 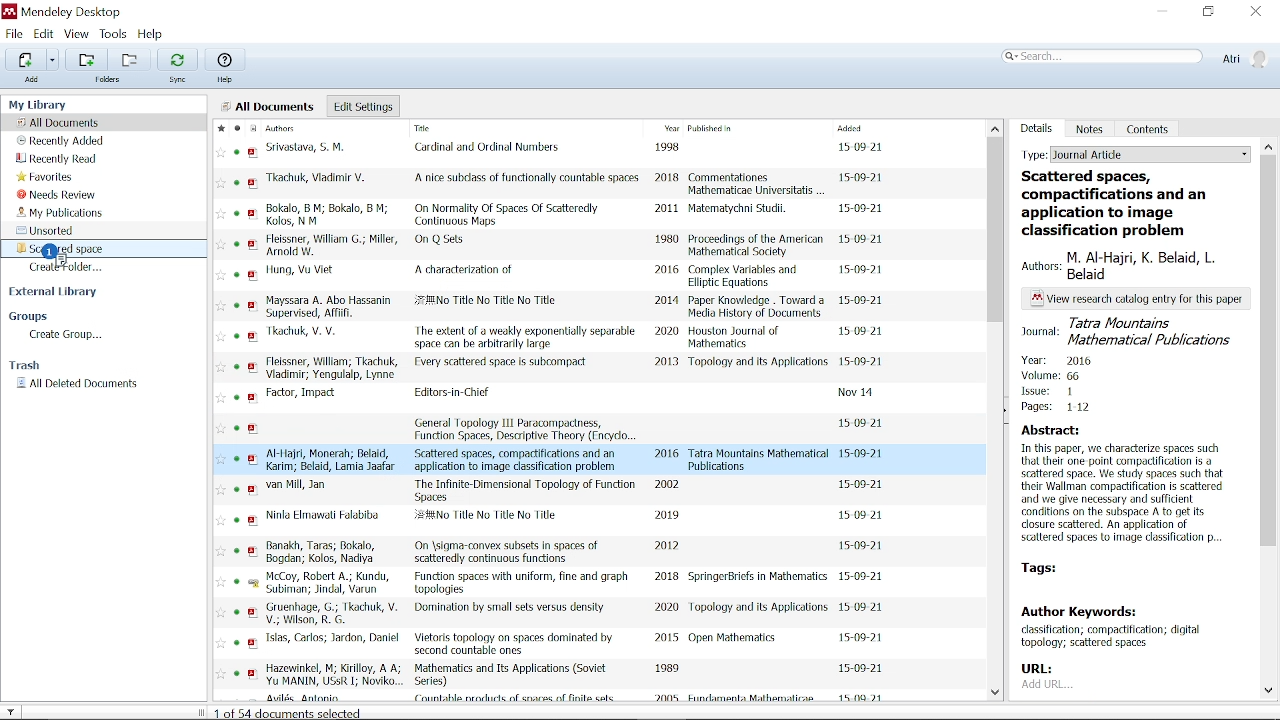 What do you see at coordinates (63, 141) in the screenshot?
I see `Recently added` at bounding box center [63, 141].